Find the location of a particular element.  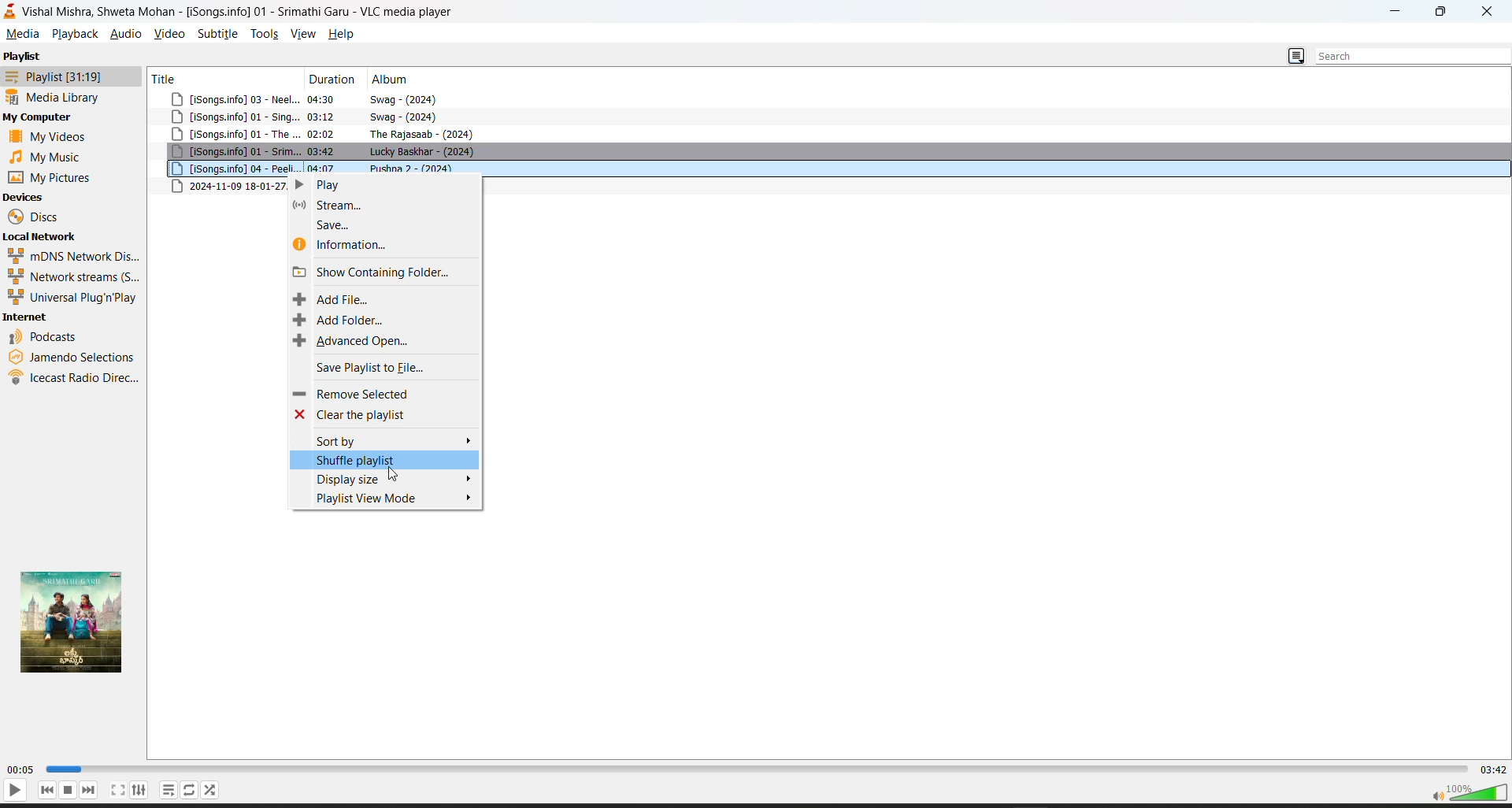

current track time is located at coordinates (20, 769).